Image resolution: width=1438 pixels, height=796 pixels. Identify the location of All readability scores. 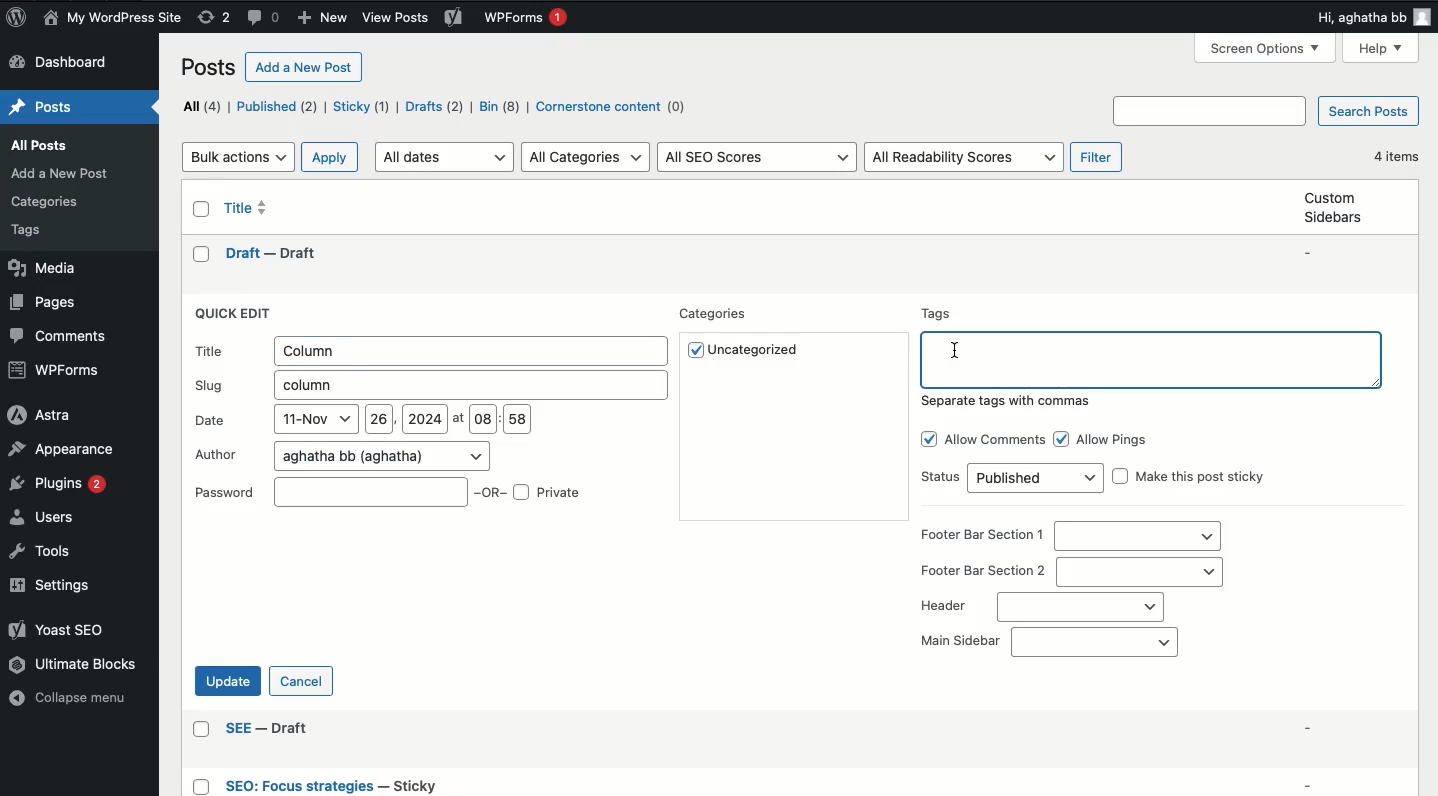
(963, 156).